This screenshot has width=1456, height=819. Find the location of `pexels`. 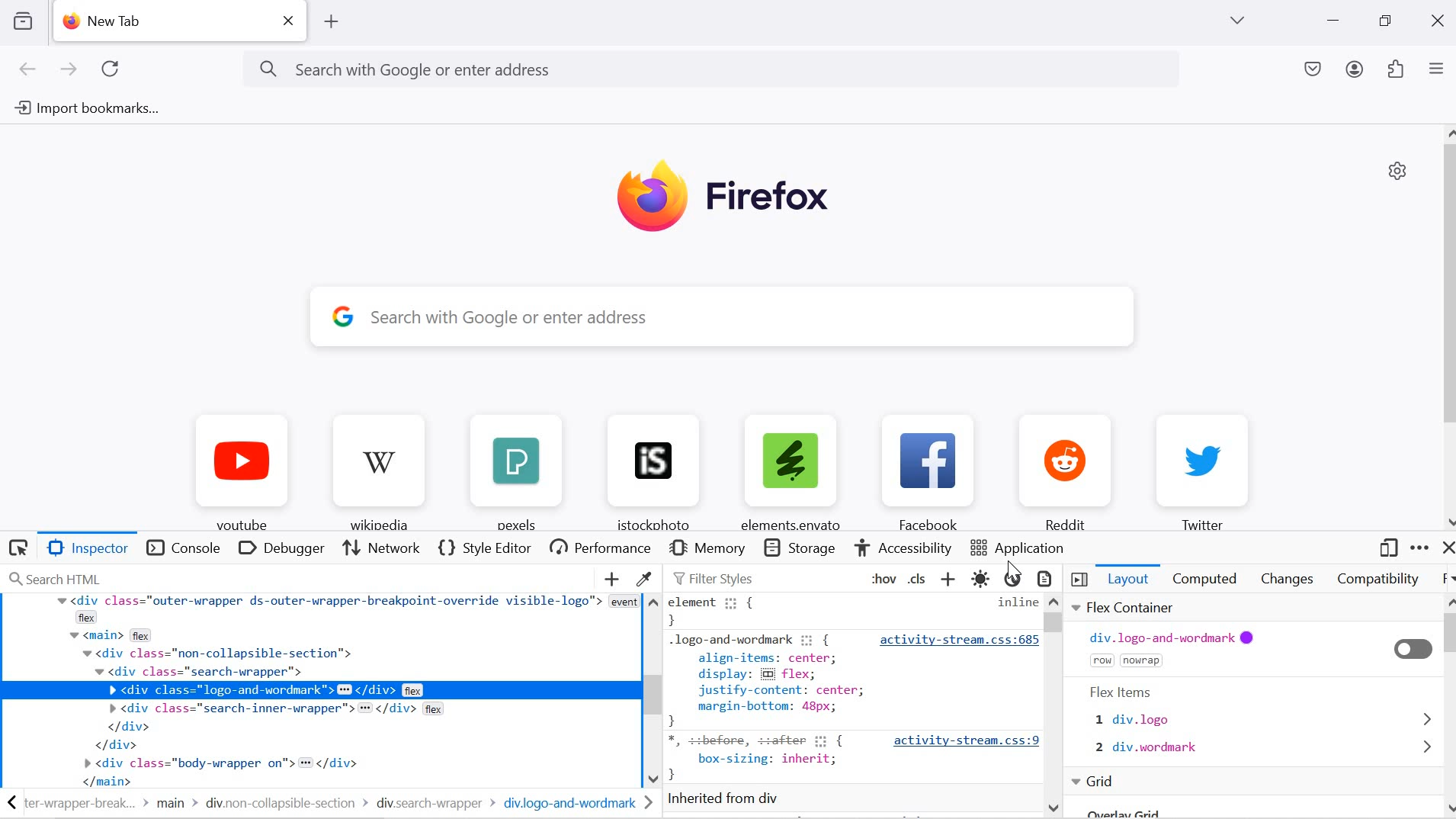

pexels is located at coordinates (518, 468).